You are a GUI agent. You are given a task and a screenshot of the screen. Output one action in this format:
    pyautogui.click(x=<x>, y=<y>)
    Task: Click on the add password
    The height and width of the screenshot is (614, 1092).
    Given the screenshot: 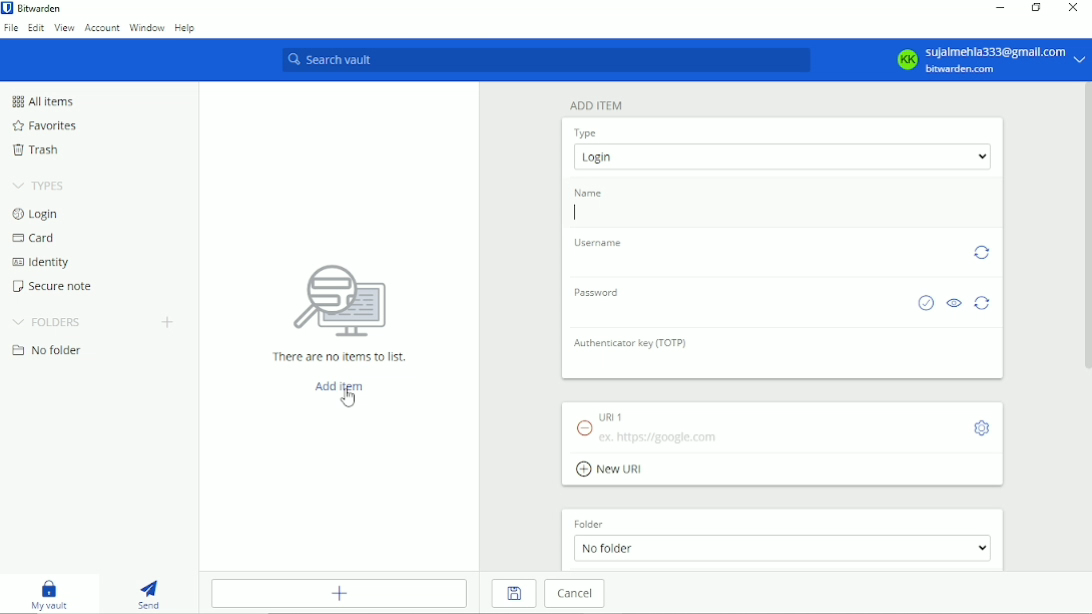 What is the action you would take?
    pyautogui.click(x=736, y=313)
    